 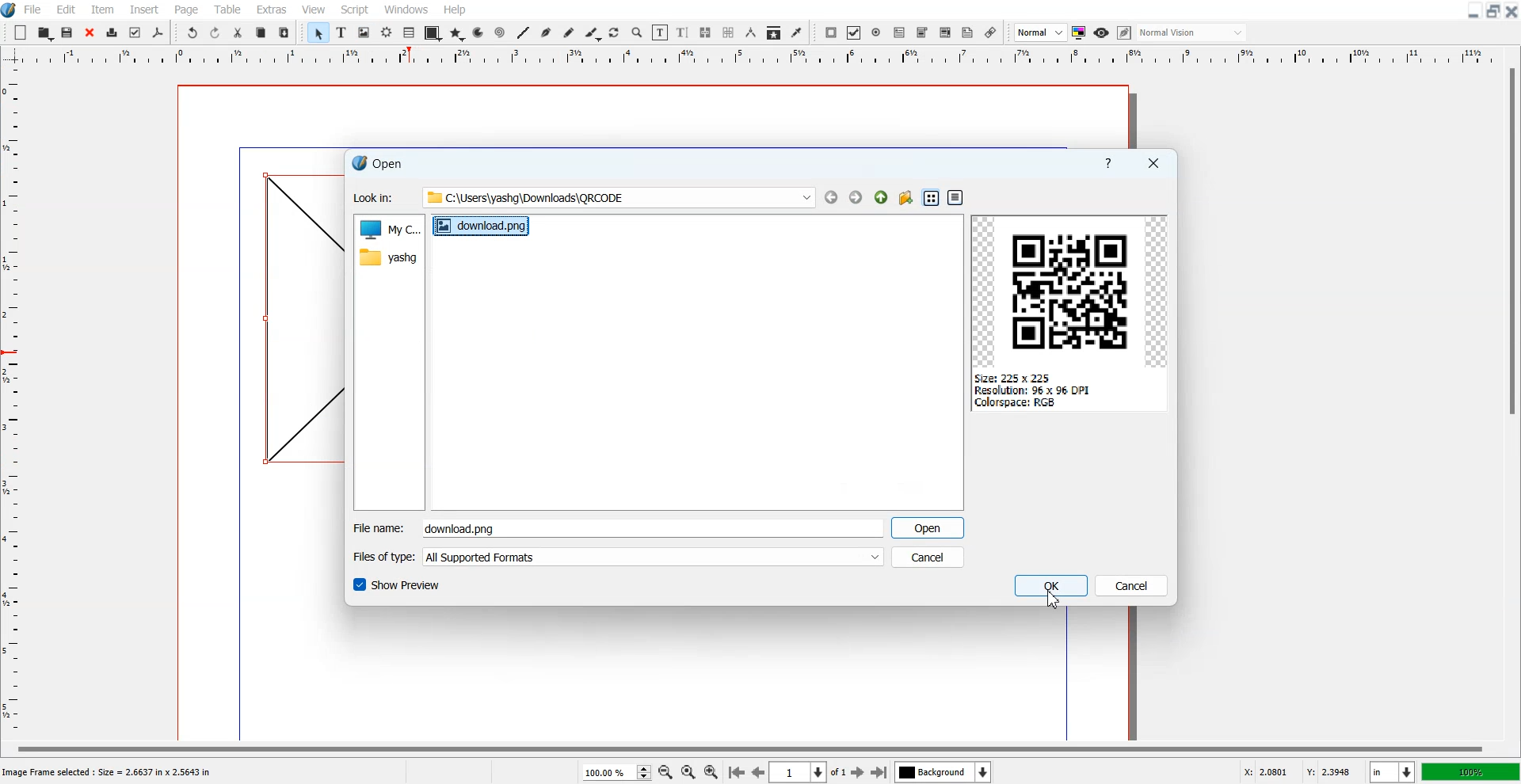 I want to click on Spiral, so click(x=499, y=32).